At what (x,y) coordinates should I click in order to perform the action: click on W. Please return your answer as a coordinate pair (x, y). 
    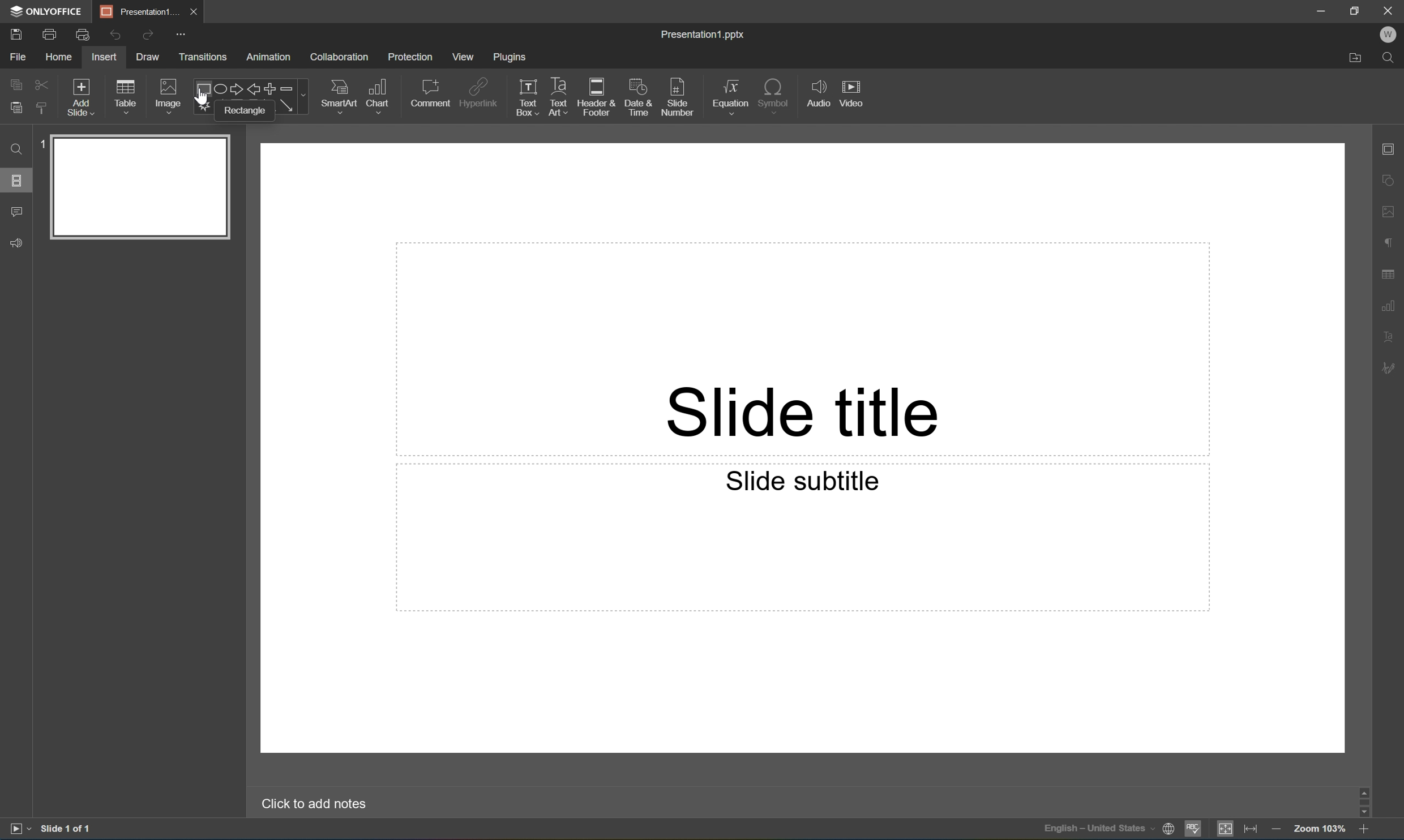
    Looking at the image, I should click on (1388, 35).